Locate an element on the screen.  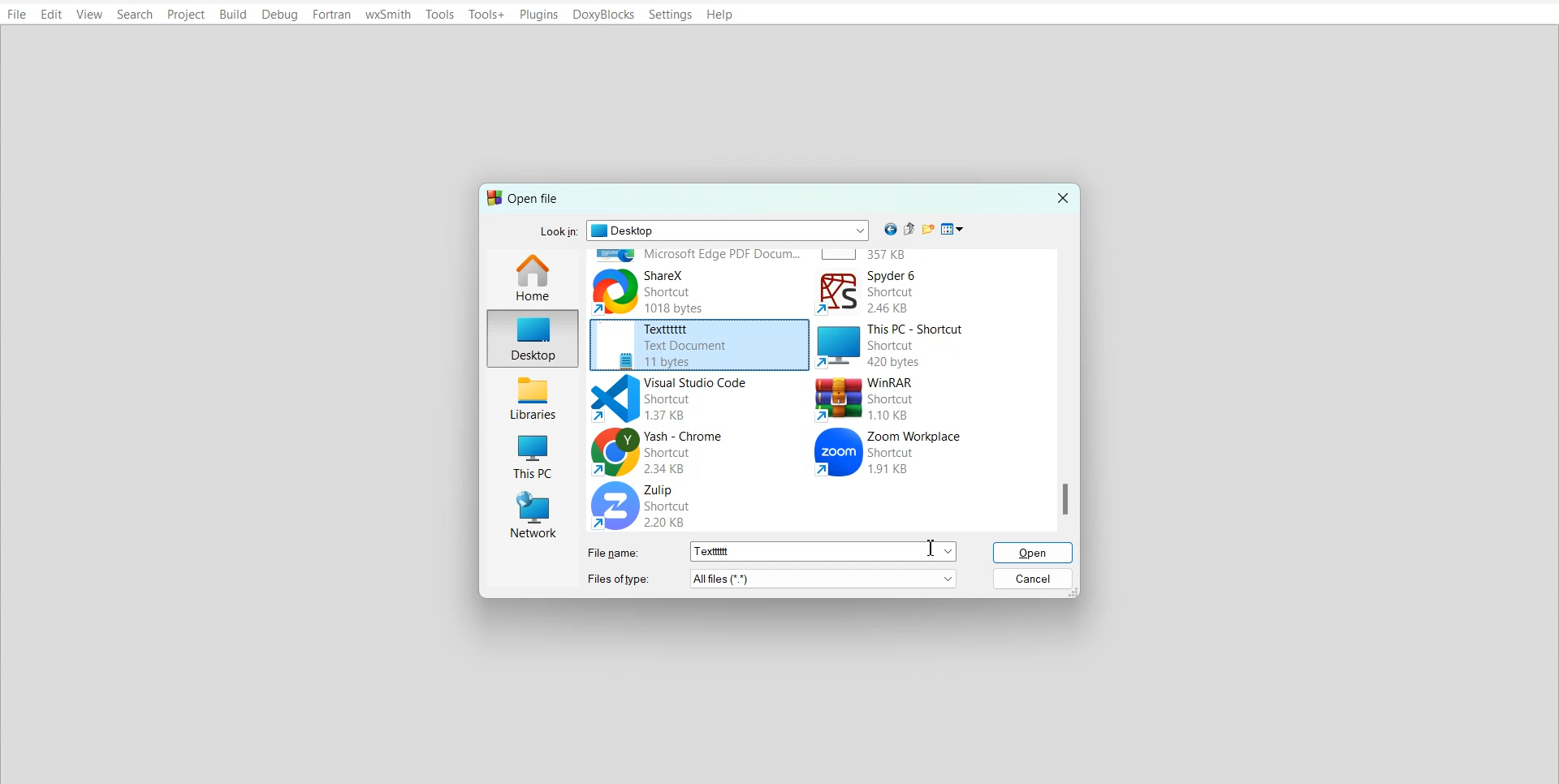
Create new folder is located at coordinates (930, 230).